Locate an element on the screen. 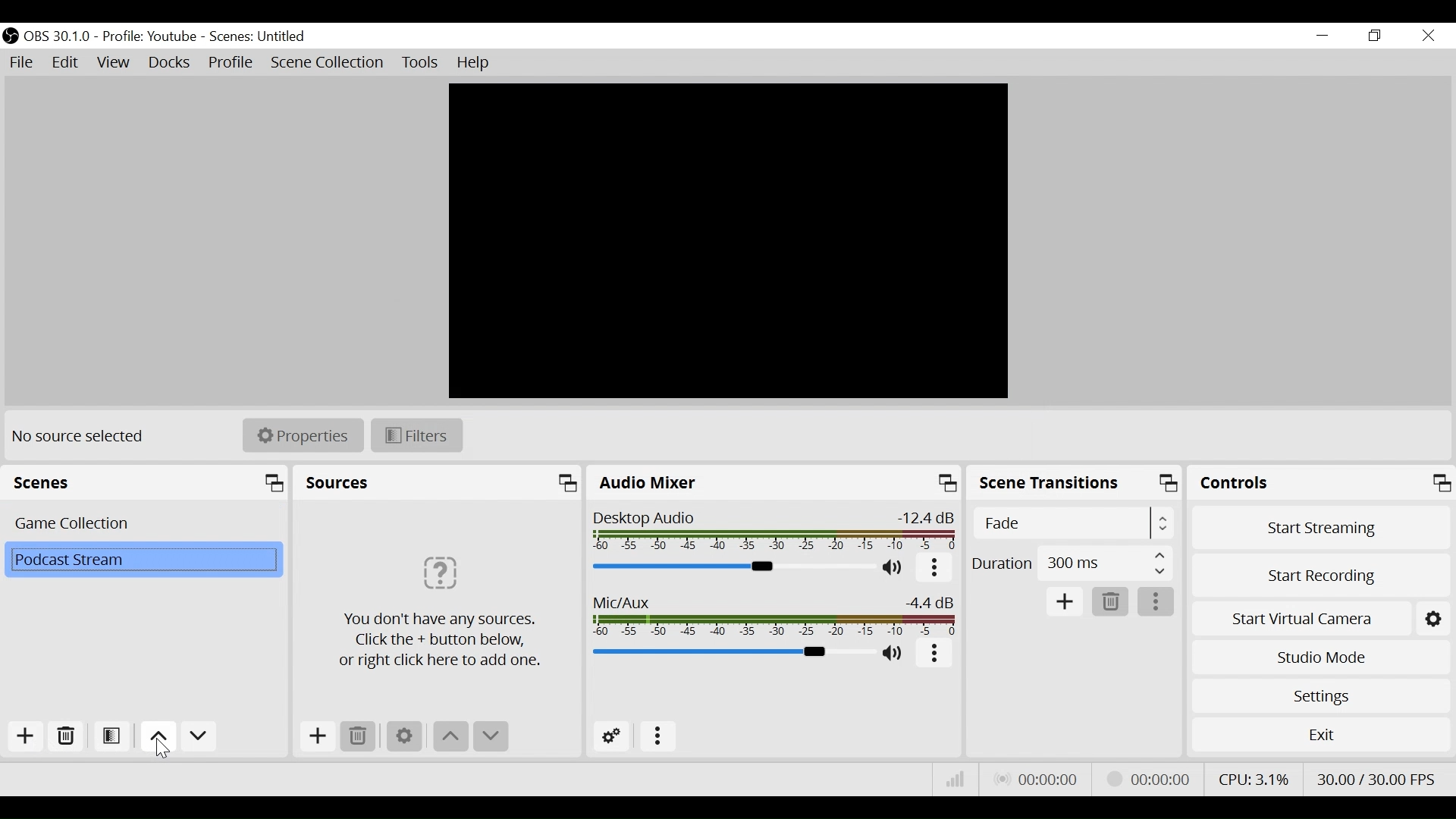 The image size is (1456, 819). Move down is located at coordinates (198, 738).